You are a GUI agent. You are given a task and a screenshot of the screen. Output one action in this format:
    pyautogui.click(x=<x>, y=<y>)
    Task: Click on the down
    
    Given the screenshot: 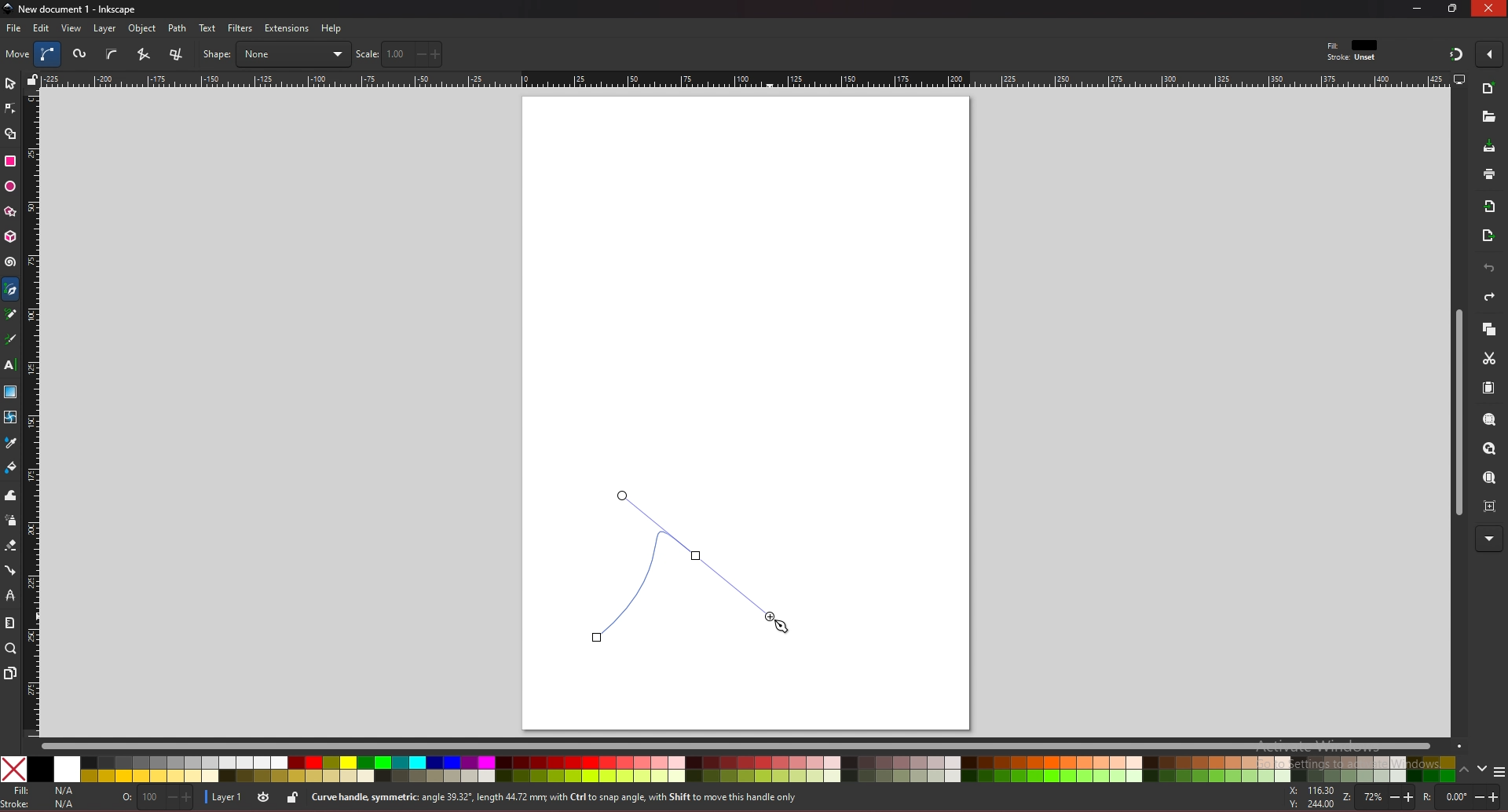 What is the action you would take?
    pyautogui.click(x=1483, y=769)
    